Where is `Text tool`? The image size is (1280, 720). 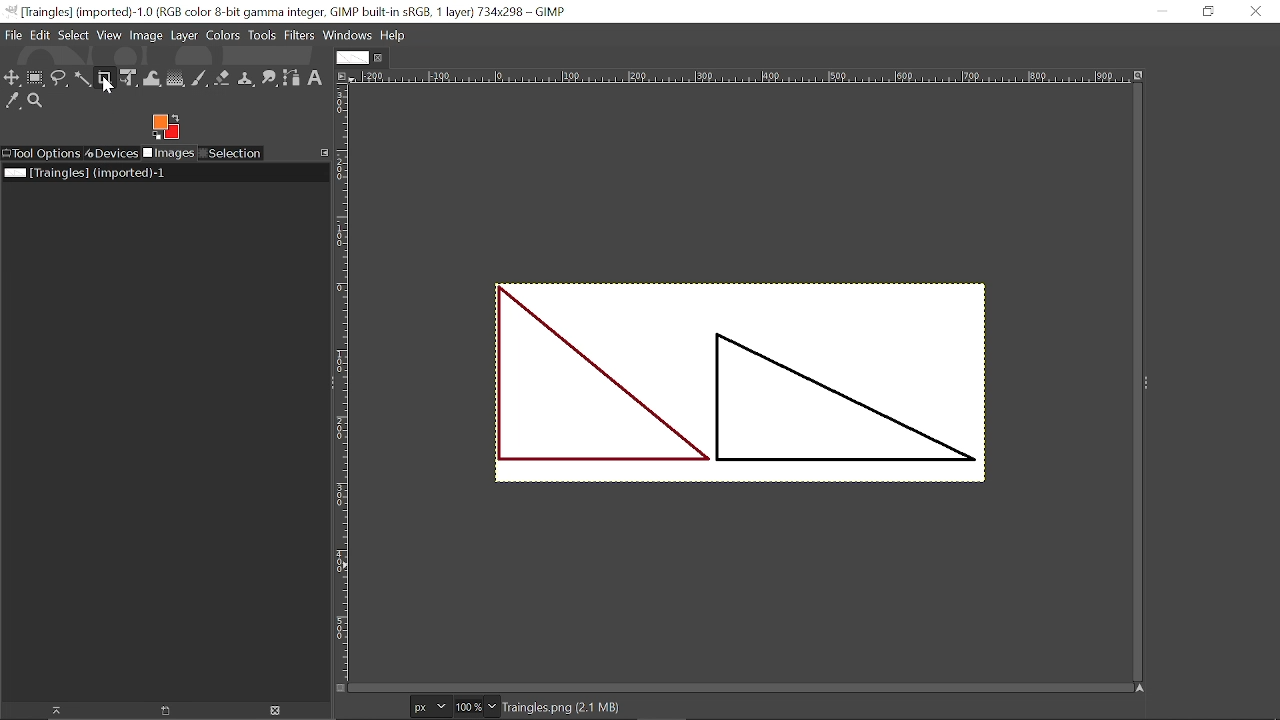 Text tool is located at coordinates (1148, 263).